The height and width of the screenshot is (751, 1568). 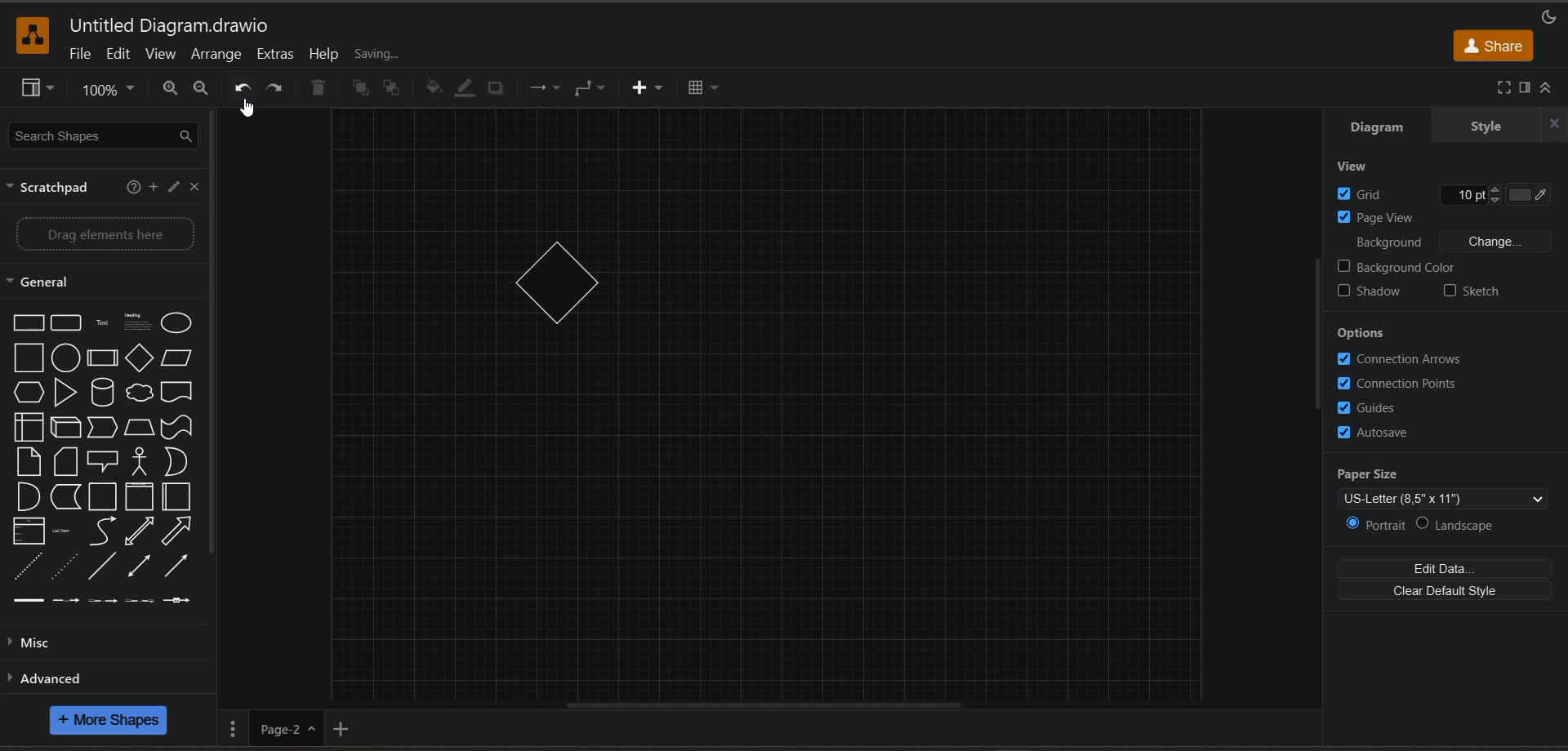 What do you see at coordinates (647, 90) in the screenshot?
I see `insert` at bounding box center [647, 90].